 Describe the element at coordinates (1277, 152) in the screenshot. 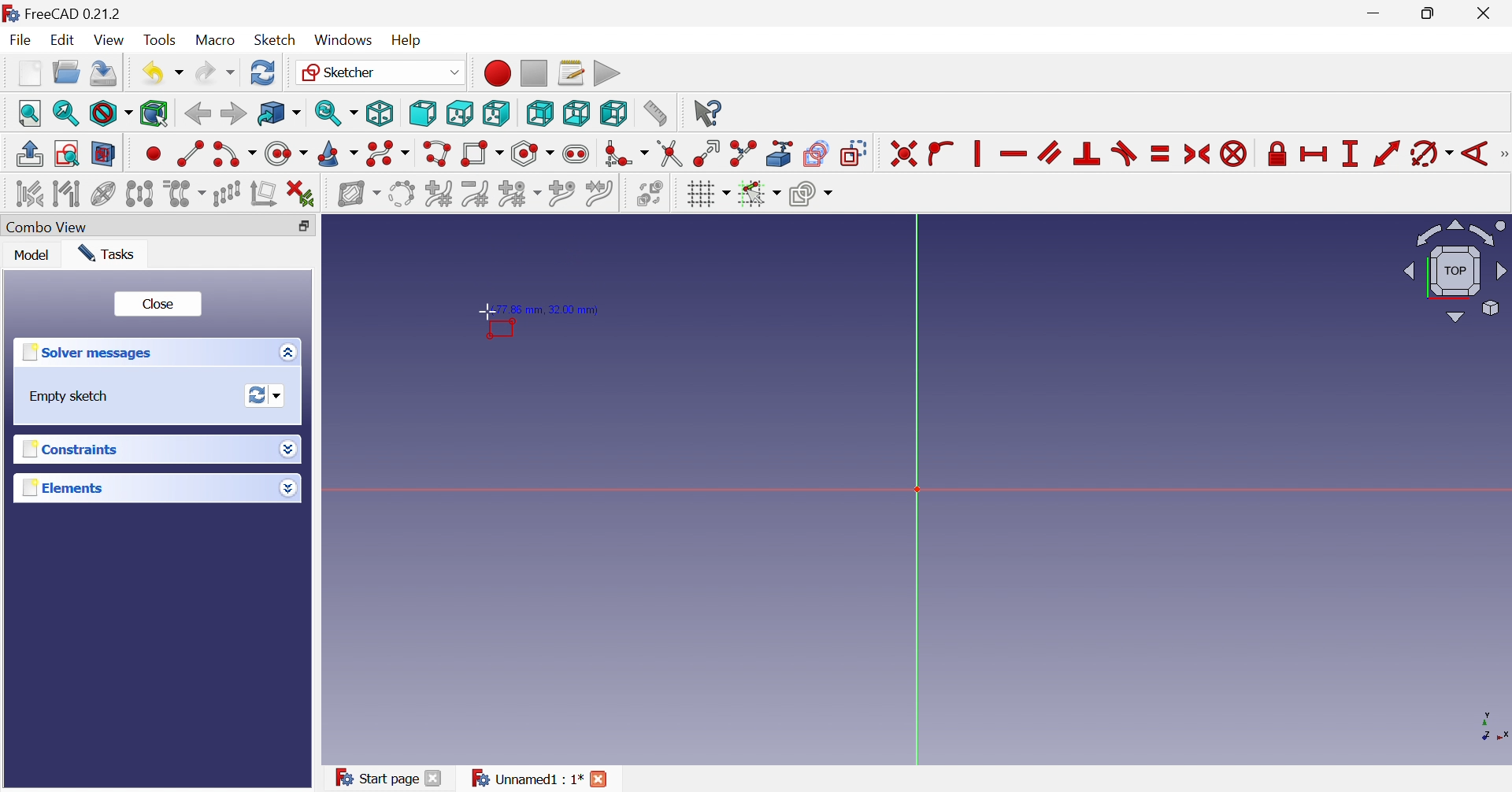

I see `Constrain lock` at that location.